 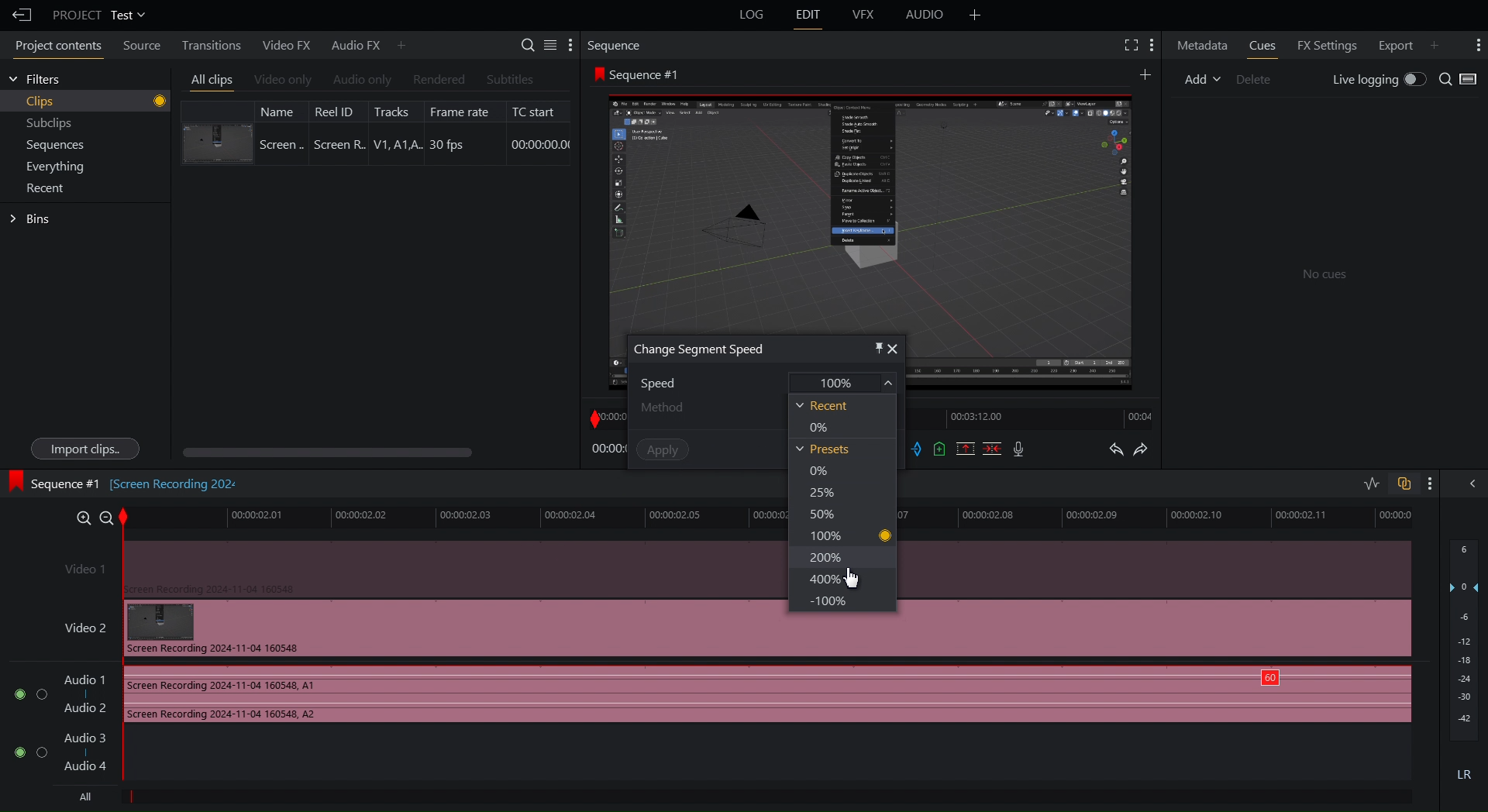 What do you see at coordinates (96, 101) in the screenshot?
I see `Clips` at bounding box center [96, 101].